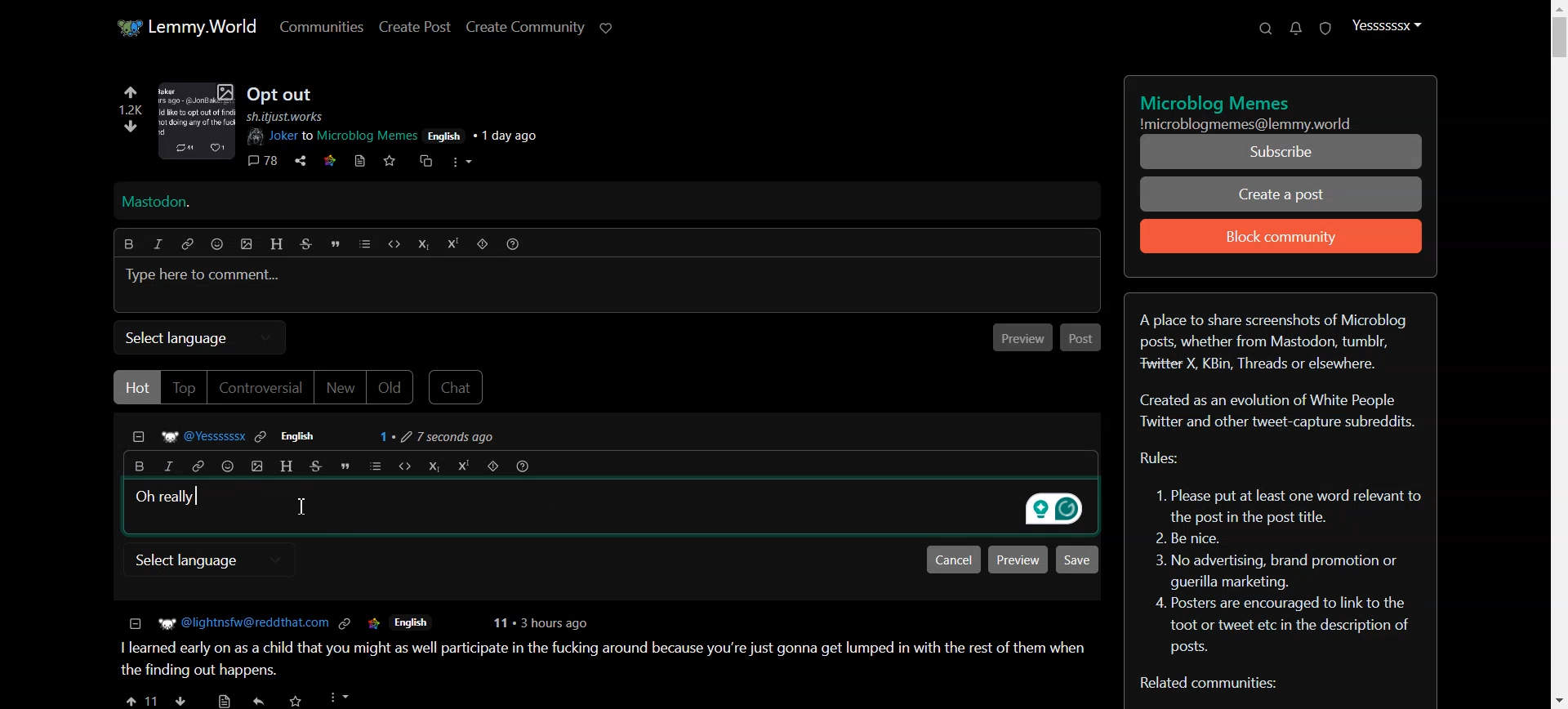  I want to click on Bold , so click(130, 243).